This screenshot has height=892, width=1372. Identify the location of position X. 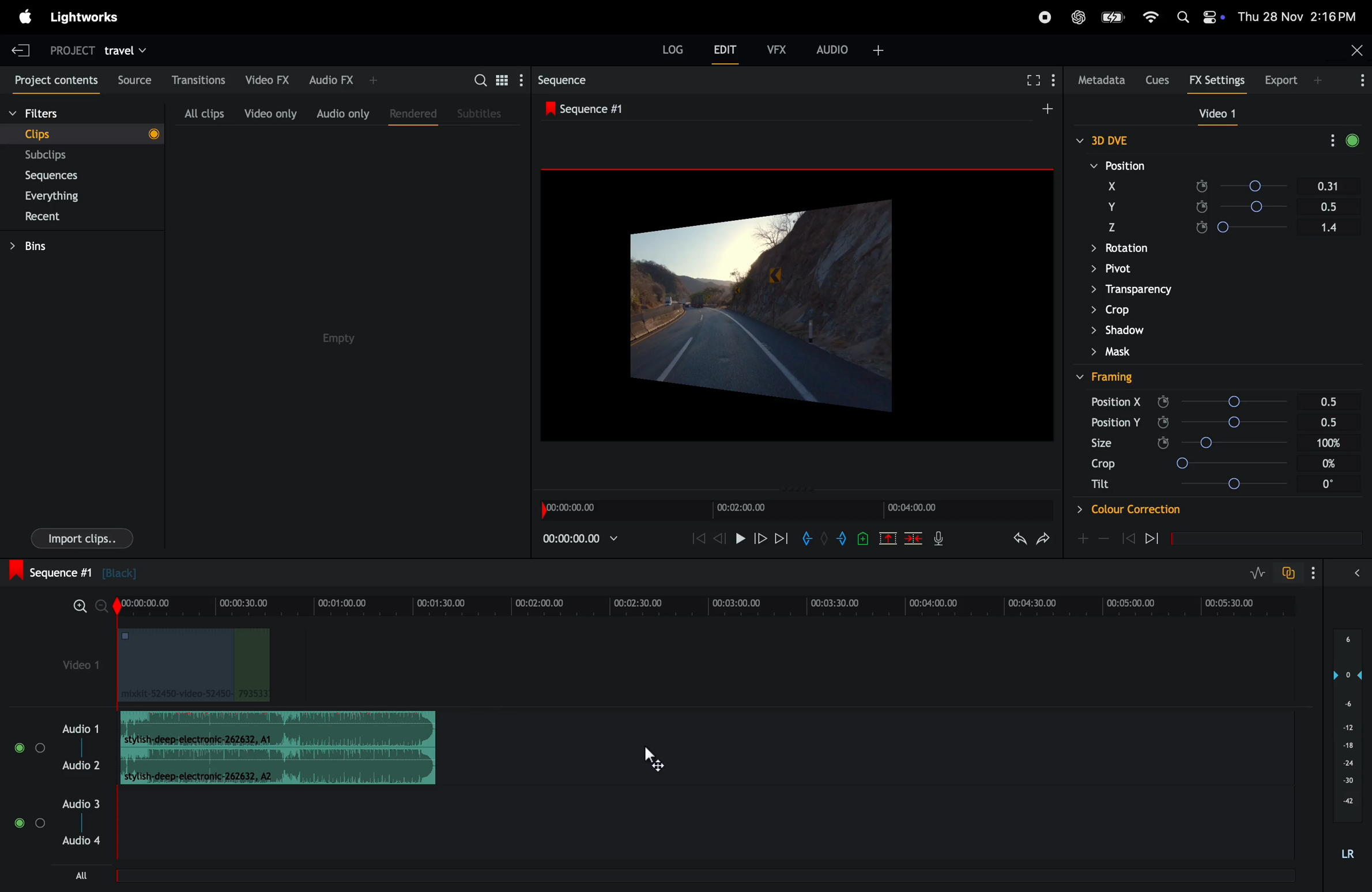
(1117, 165).